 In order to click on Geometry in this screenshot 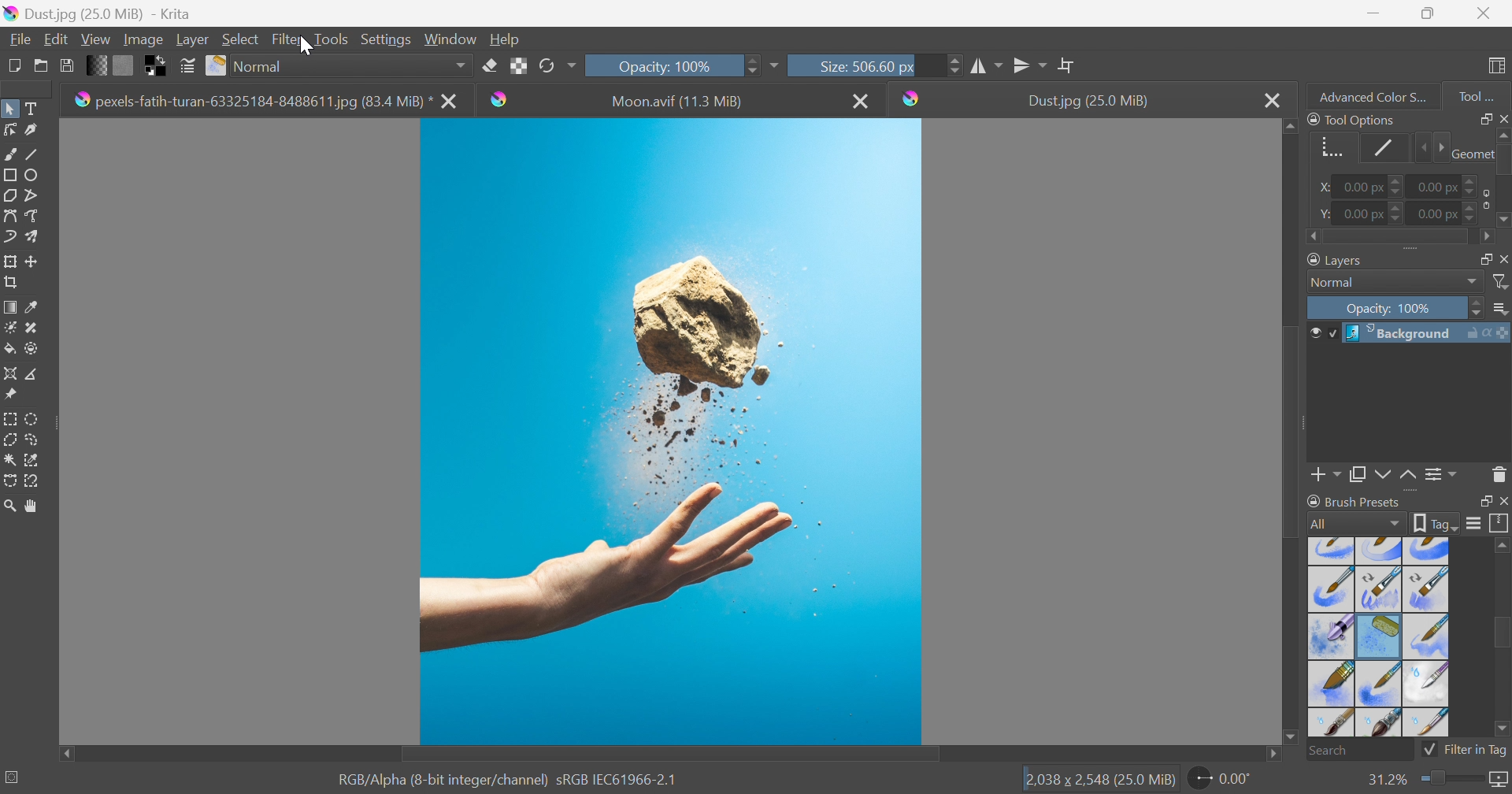, I will do `click(1470, 152)`.